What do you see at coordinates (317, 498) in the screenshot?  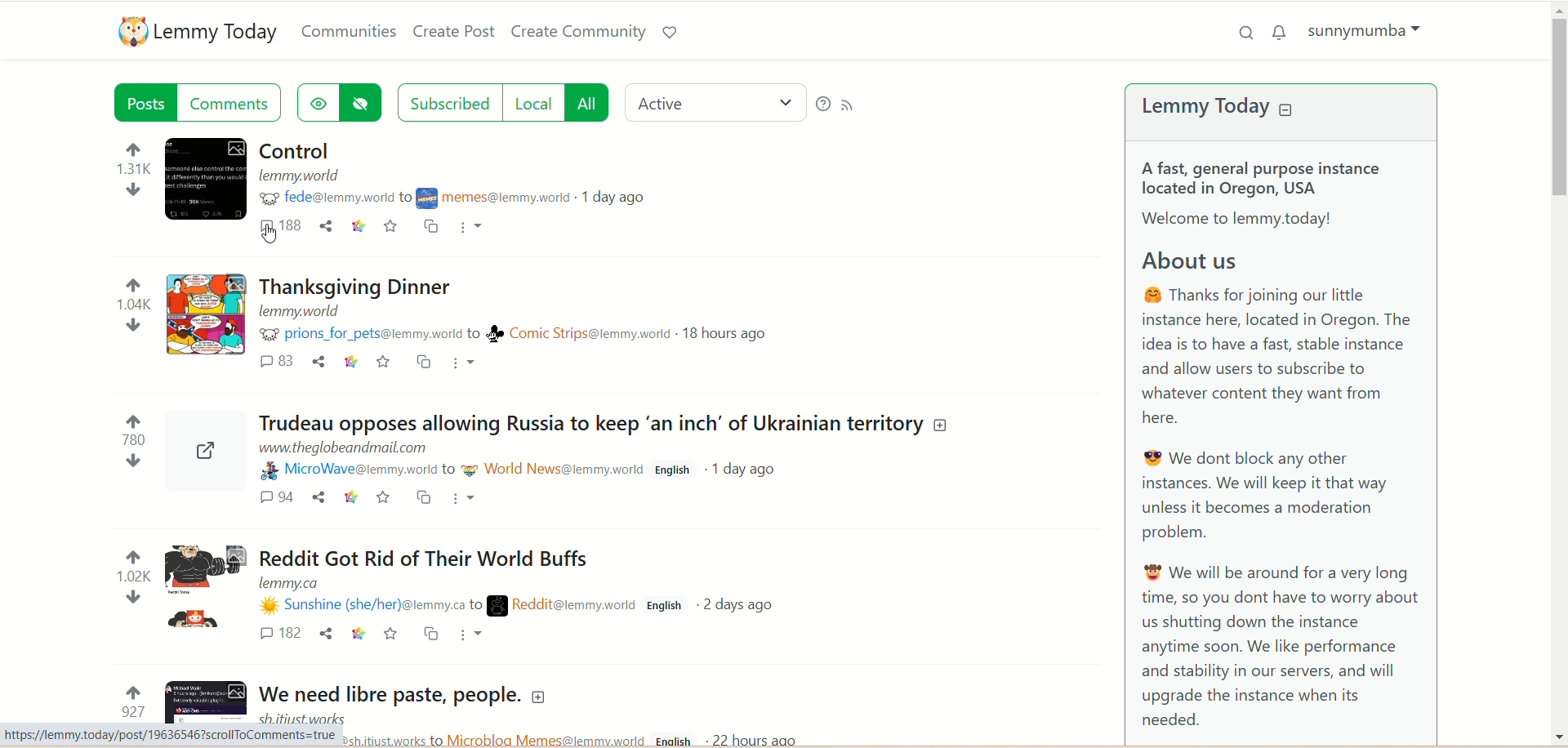 I see `share` at bounding box center [317, 498].